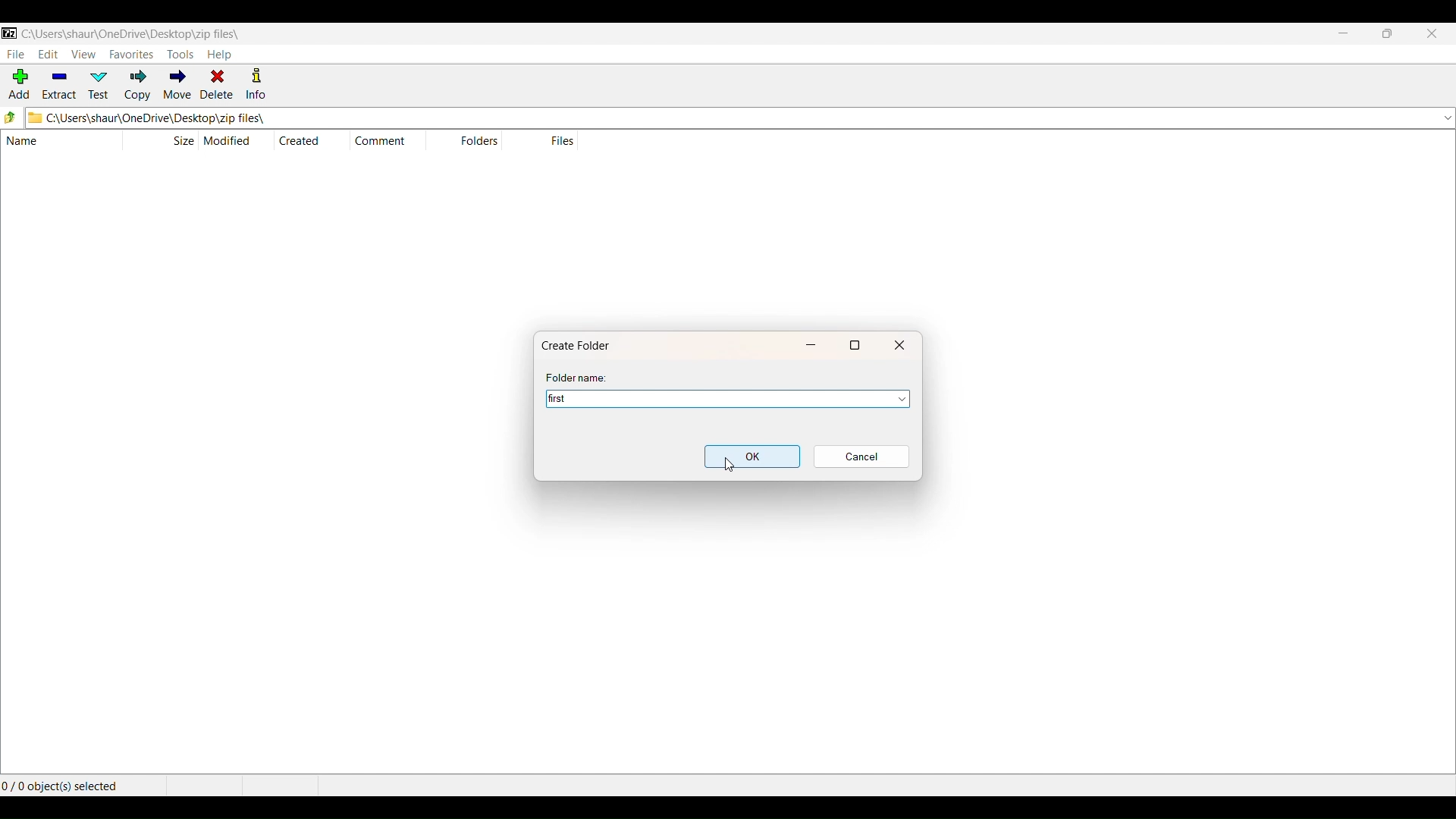 Image resolution: width=1456 pixels, height=819 pixels. I want to click on HELP, so click(220, 55).